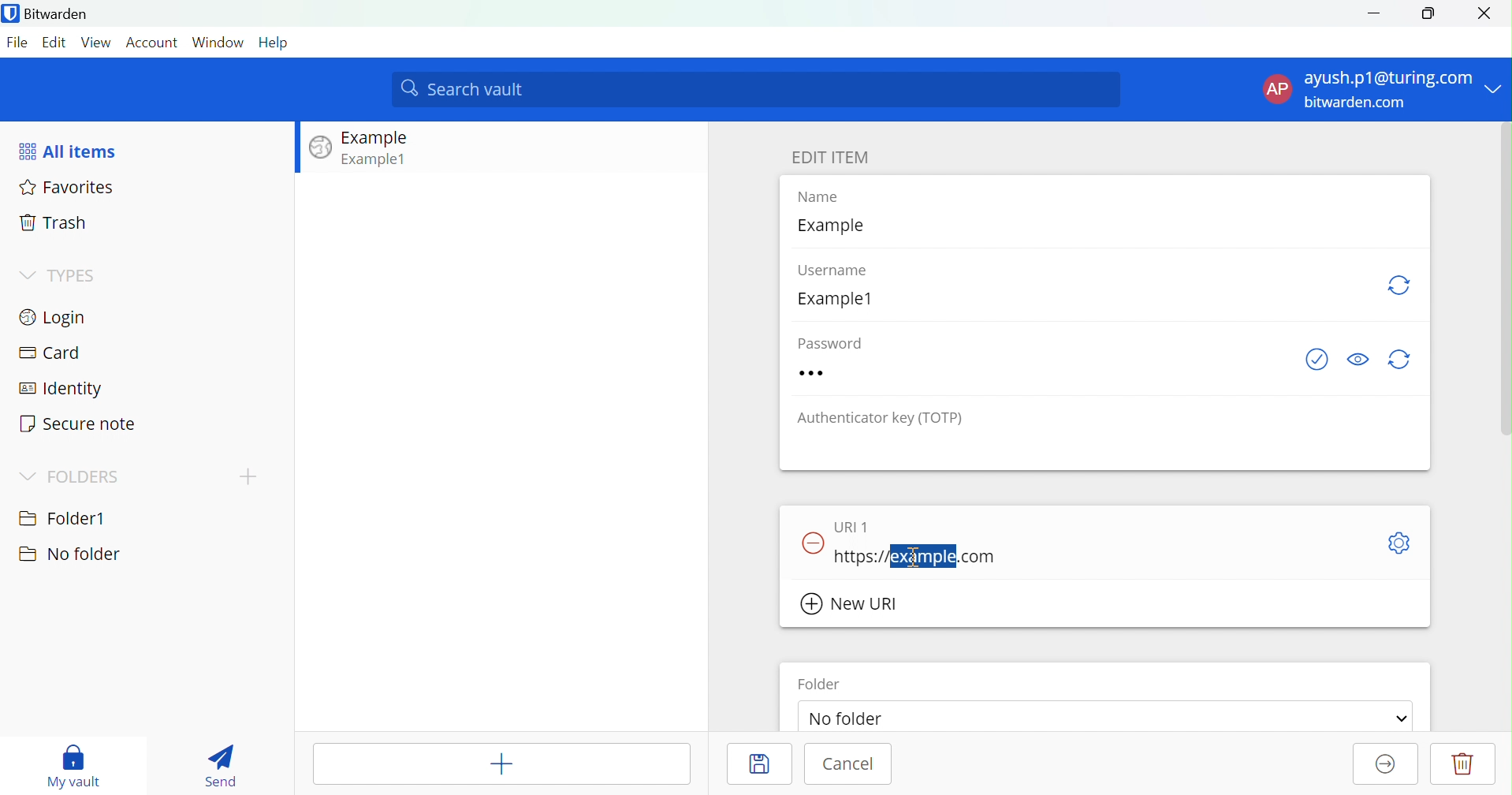  Describe the element at coordinates (842, 271) in the screenshot. I see `Username` at that location.